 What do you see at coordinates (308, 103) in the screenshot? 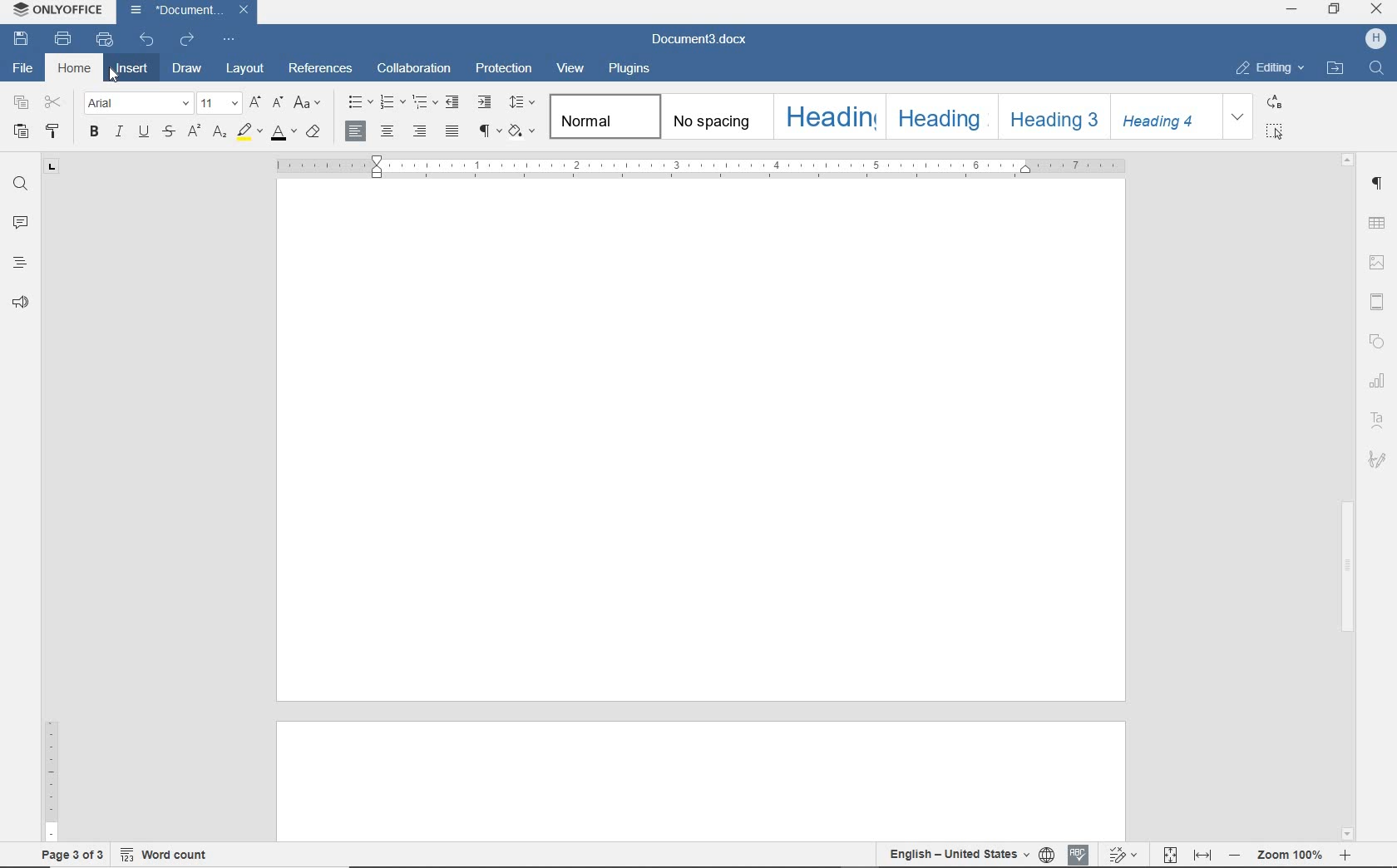
I see `CHANGE CASE` at bounding box center [308, 103].